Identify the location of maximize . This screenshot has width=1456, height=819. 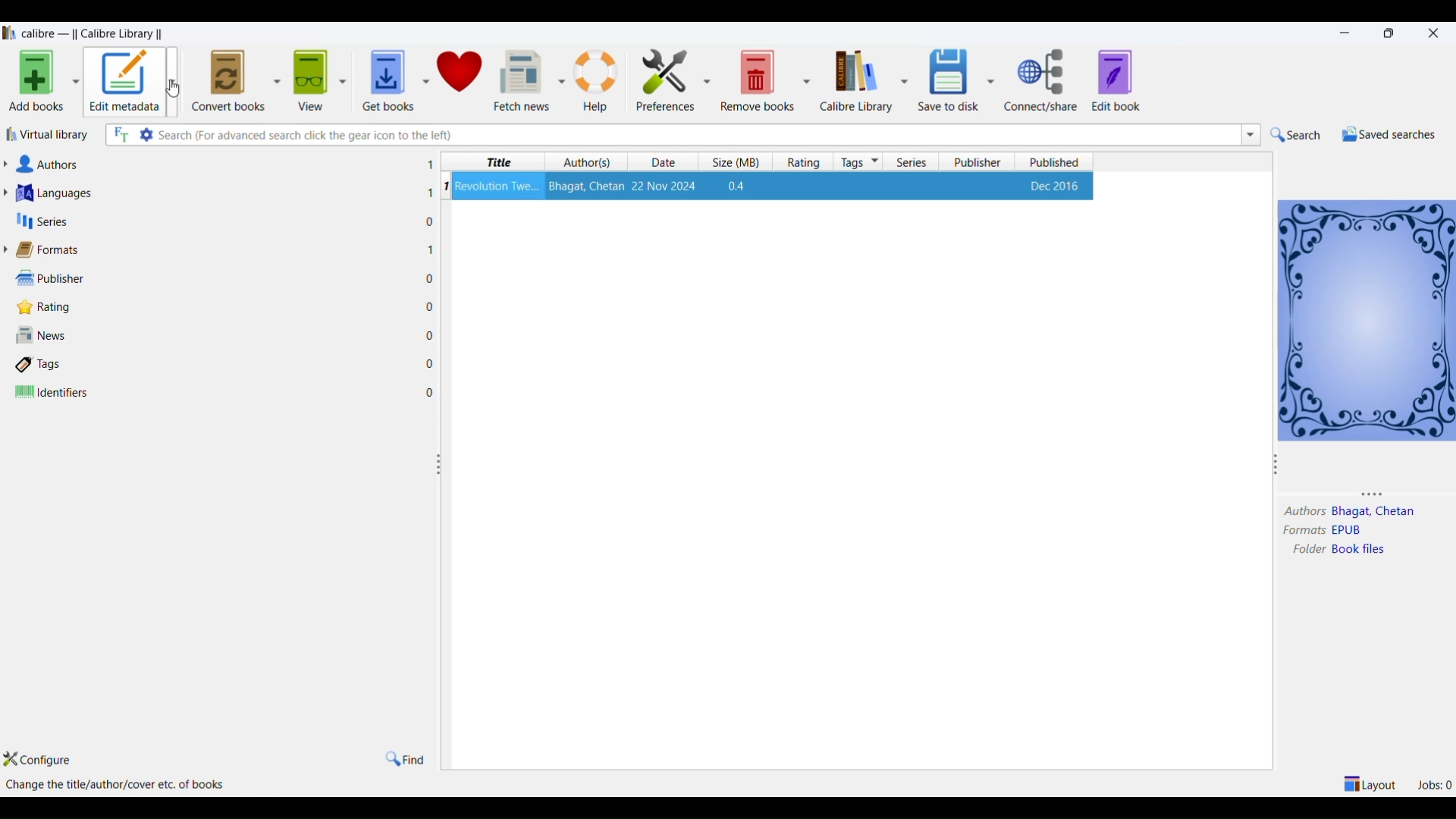
(1392, 33).